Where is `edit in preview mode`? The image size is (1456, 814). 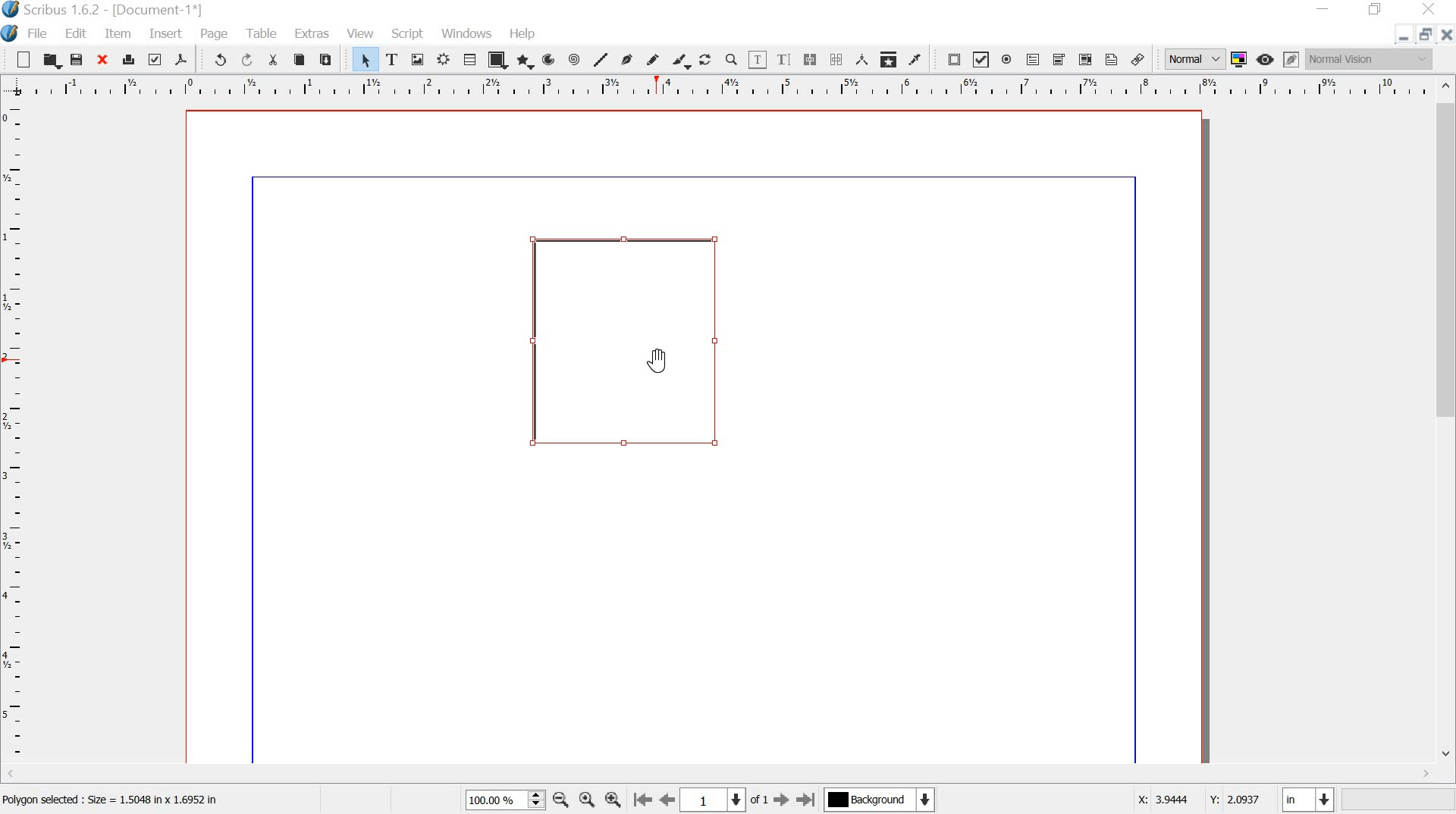 edit in preview mode is located at coordinates (1292, 59).